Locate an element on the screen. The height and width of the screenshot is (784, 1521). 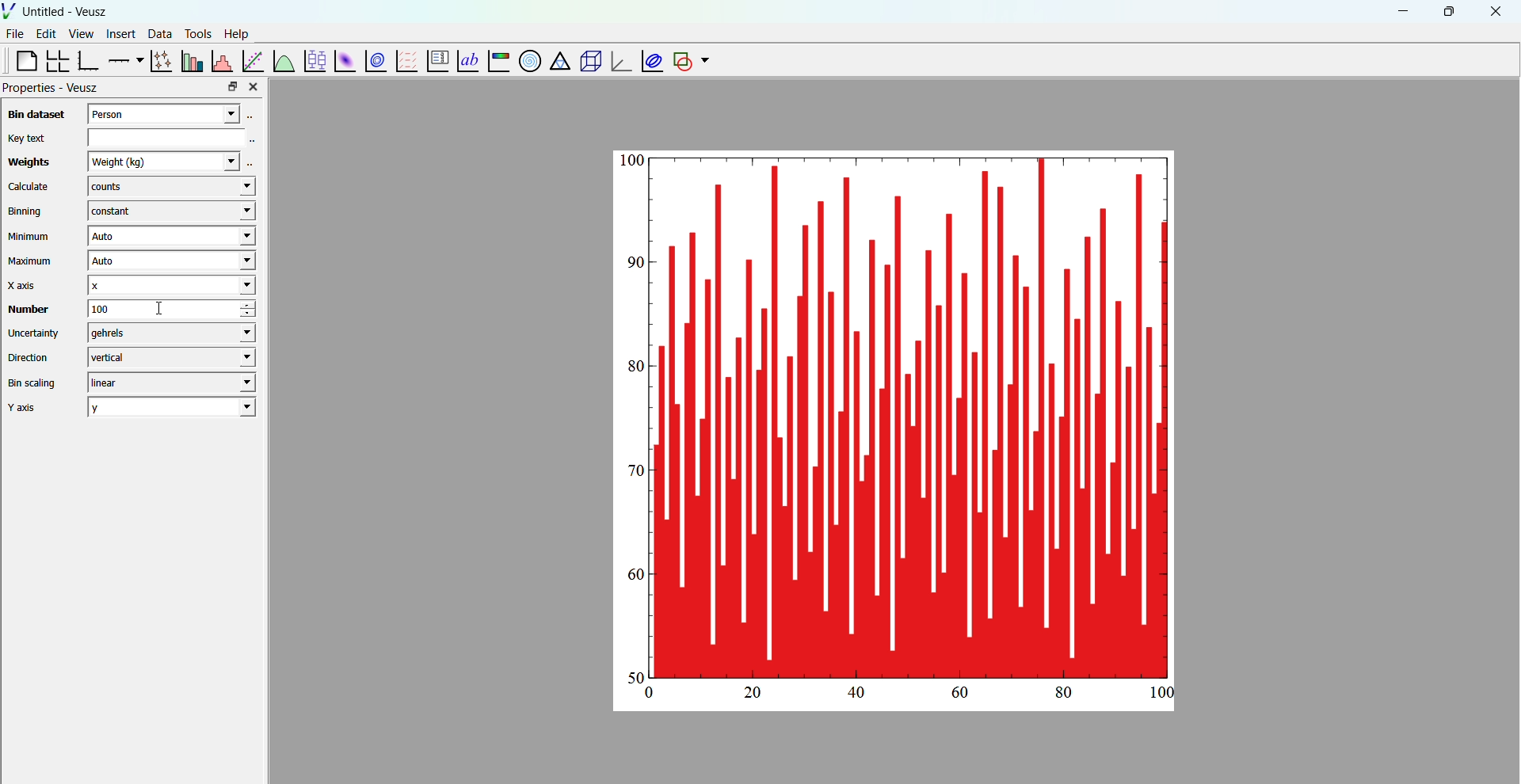
gehrels is located at coordinates (168, 333).